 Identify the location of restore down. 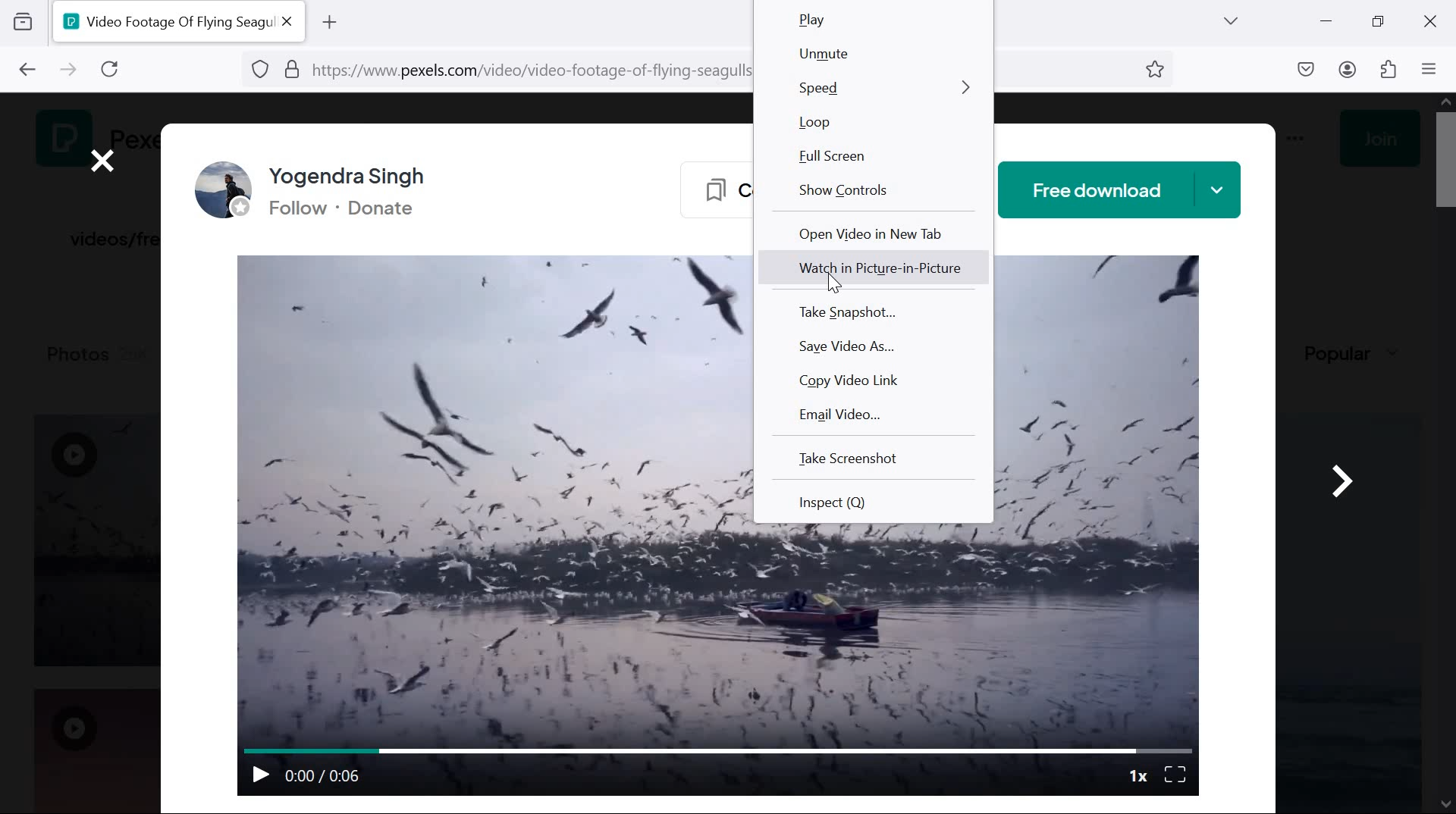
(1379, 21).